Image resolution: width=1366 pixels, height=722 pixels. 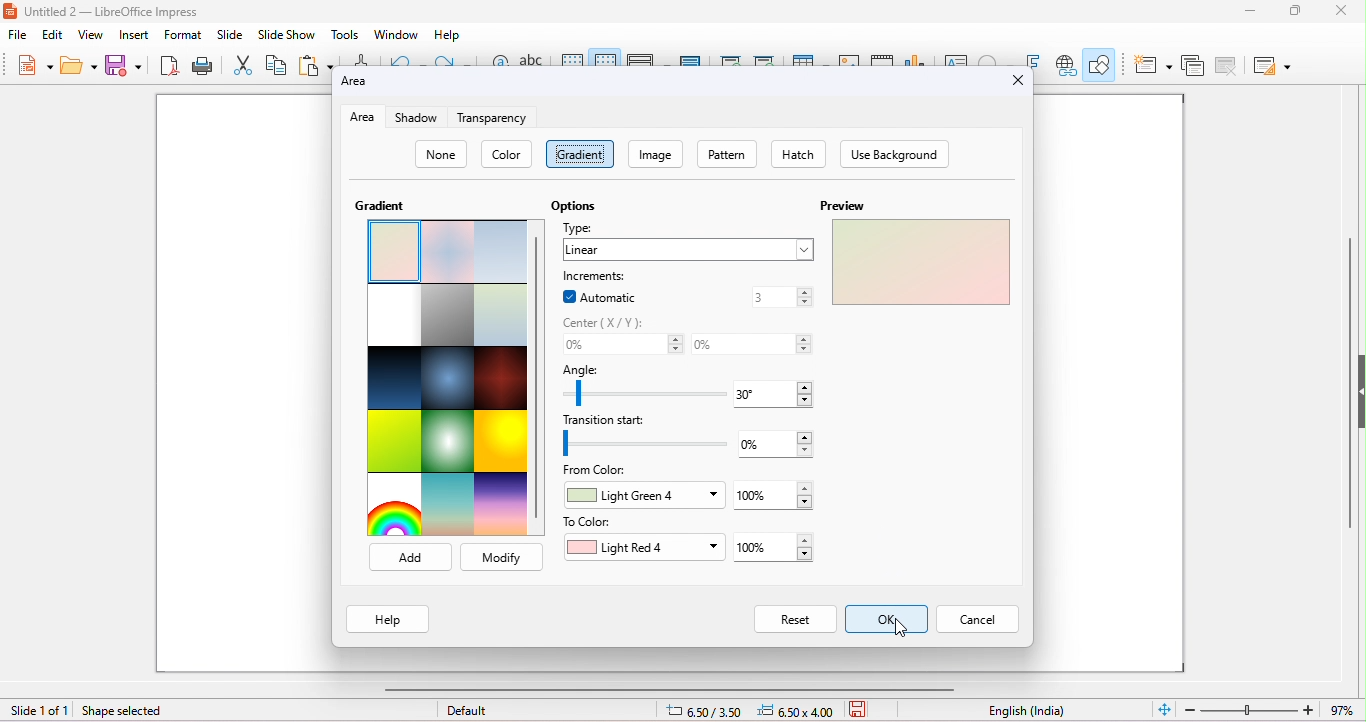 What do you see at coordinates (1067, 65) in the screenshot?
I see `insert hyperlink` at bounding box center [1067, 65].